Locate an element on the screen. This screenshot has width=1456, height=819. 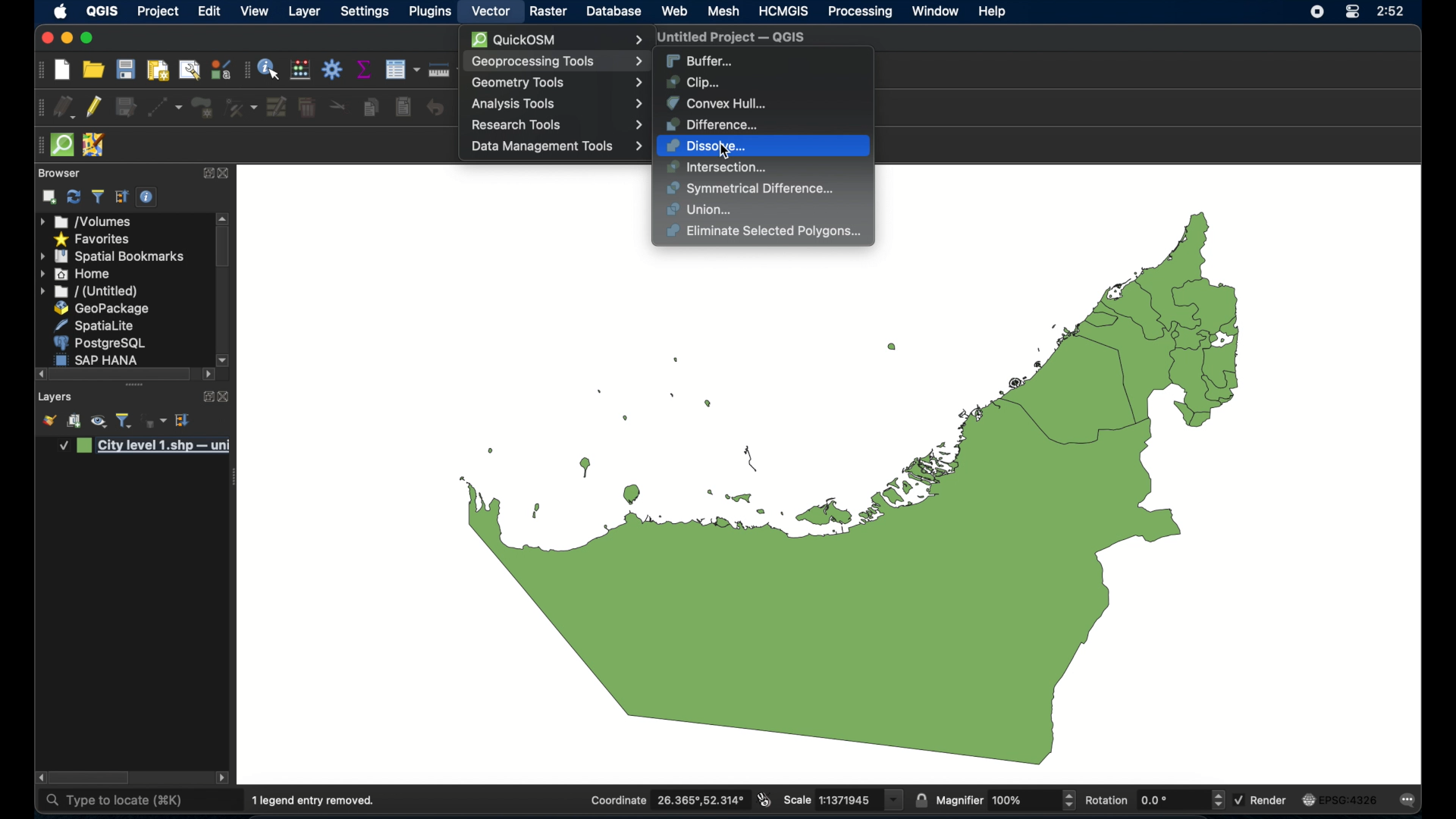
project toolbar is located at coordinates (39, 71).